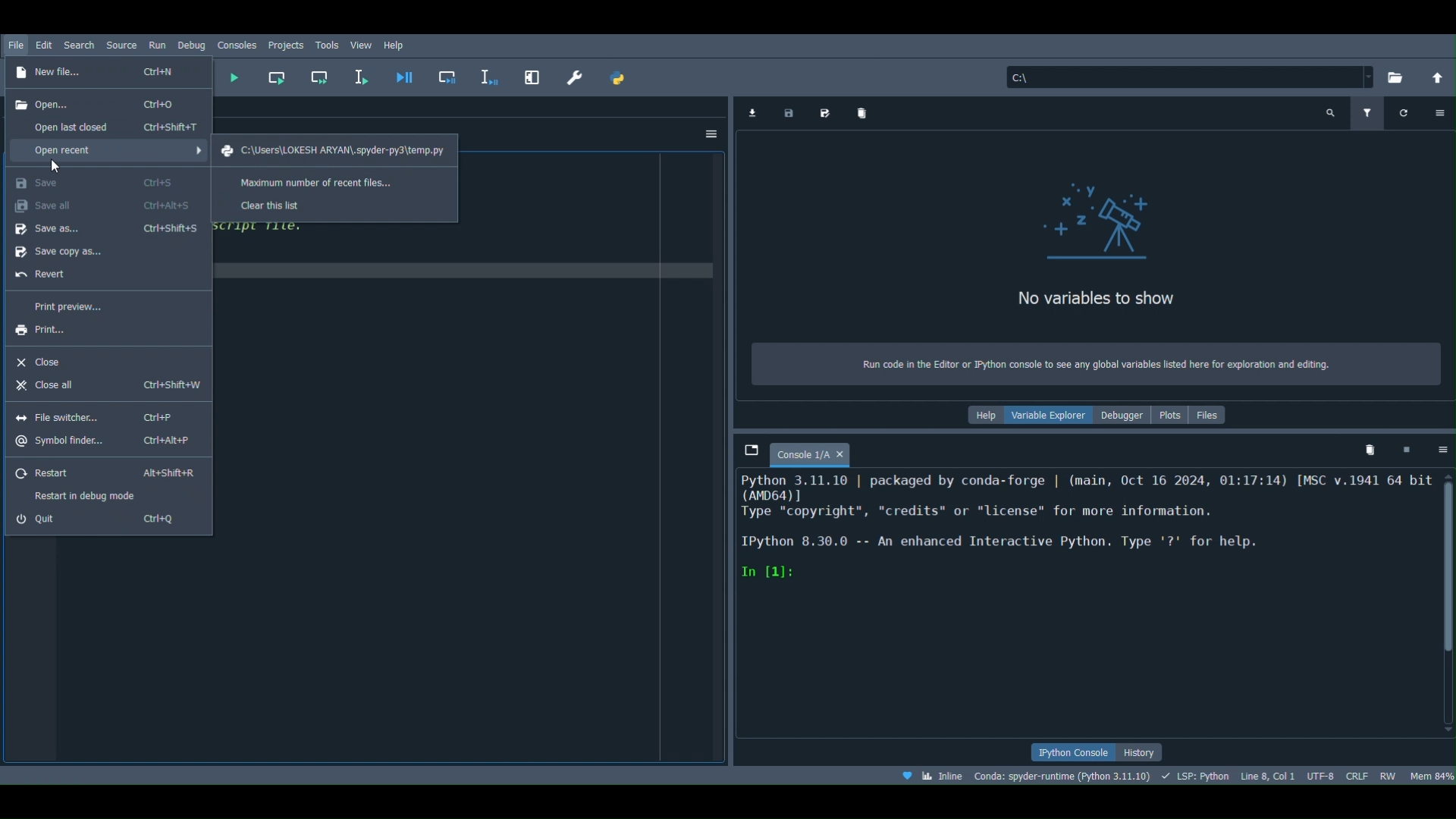  What do you see at coordinates (1196, 777) in the screenshot?
I see `Completions, linting, code folding and symbols status` at bounding box center [1196, 777].